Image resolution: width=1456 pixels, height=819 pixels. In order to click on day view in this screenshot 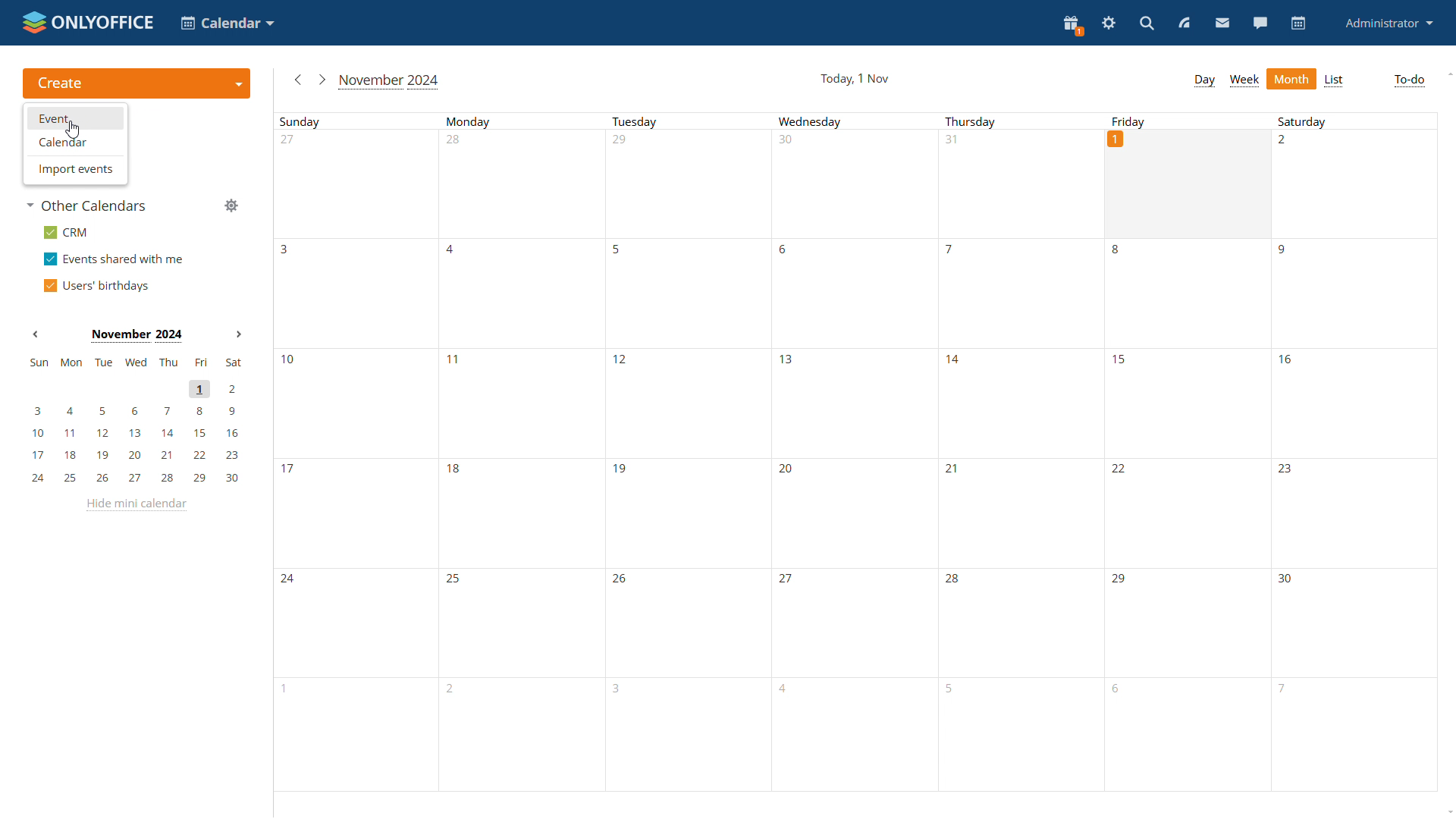, I will do `click(1204, 81)`.